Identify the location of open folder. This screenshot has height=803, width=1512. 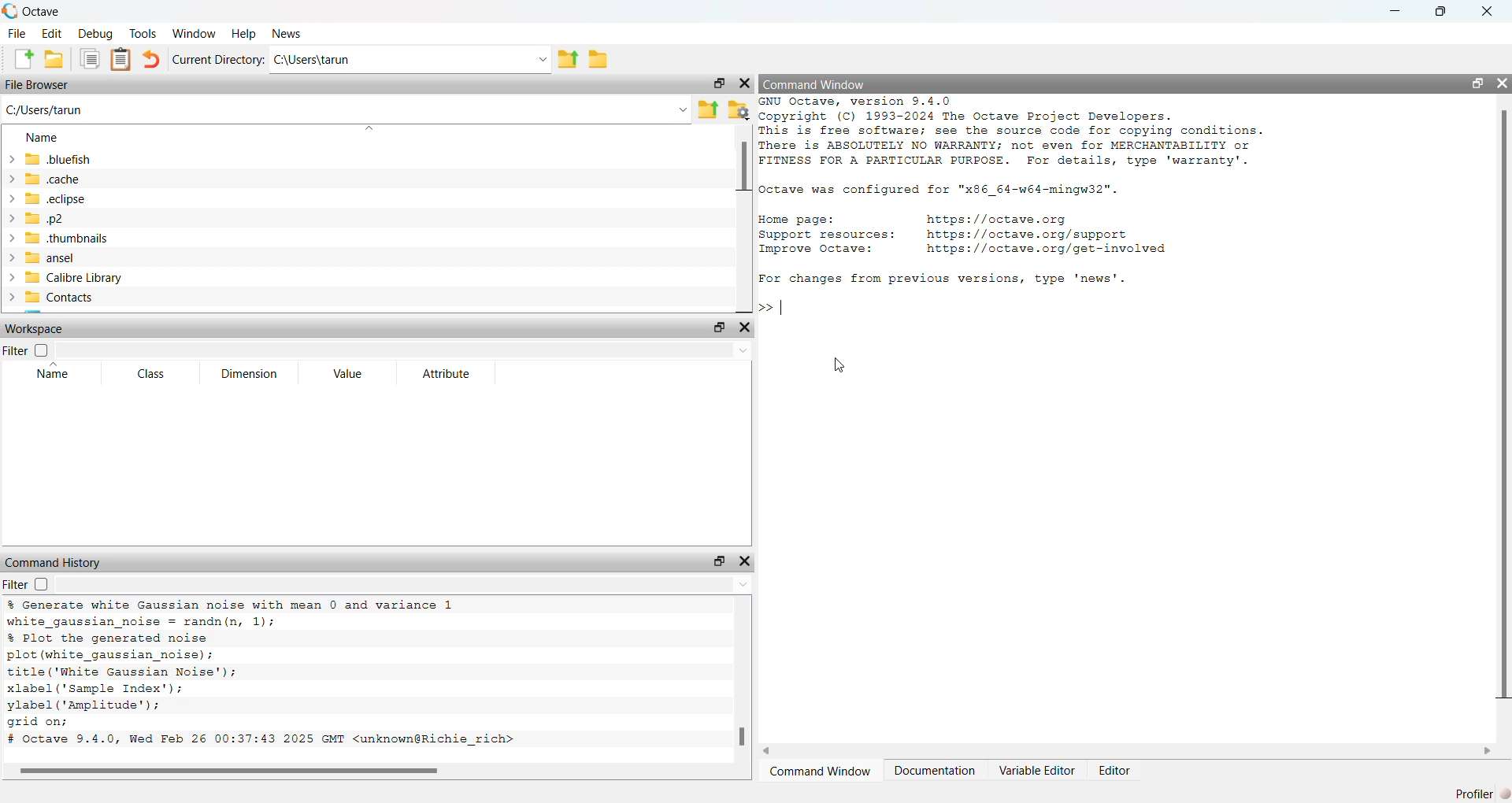
(54, 59).